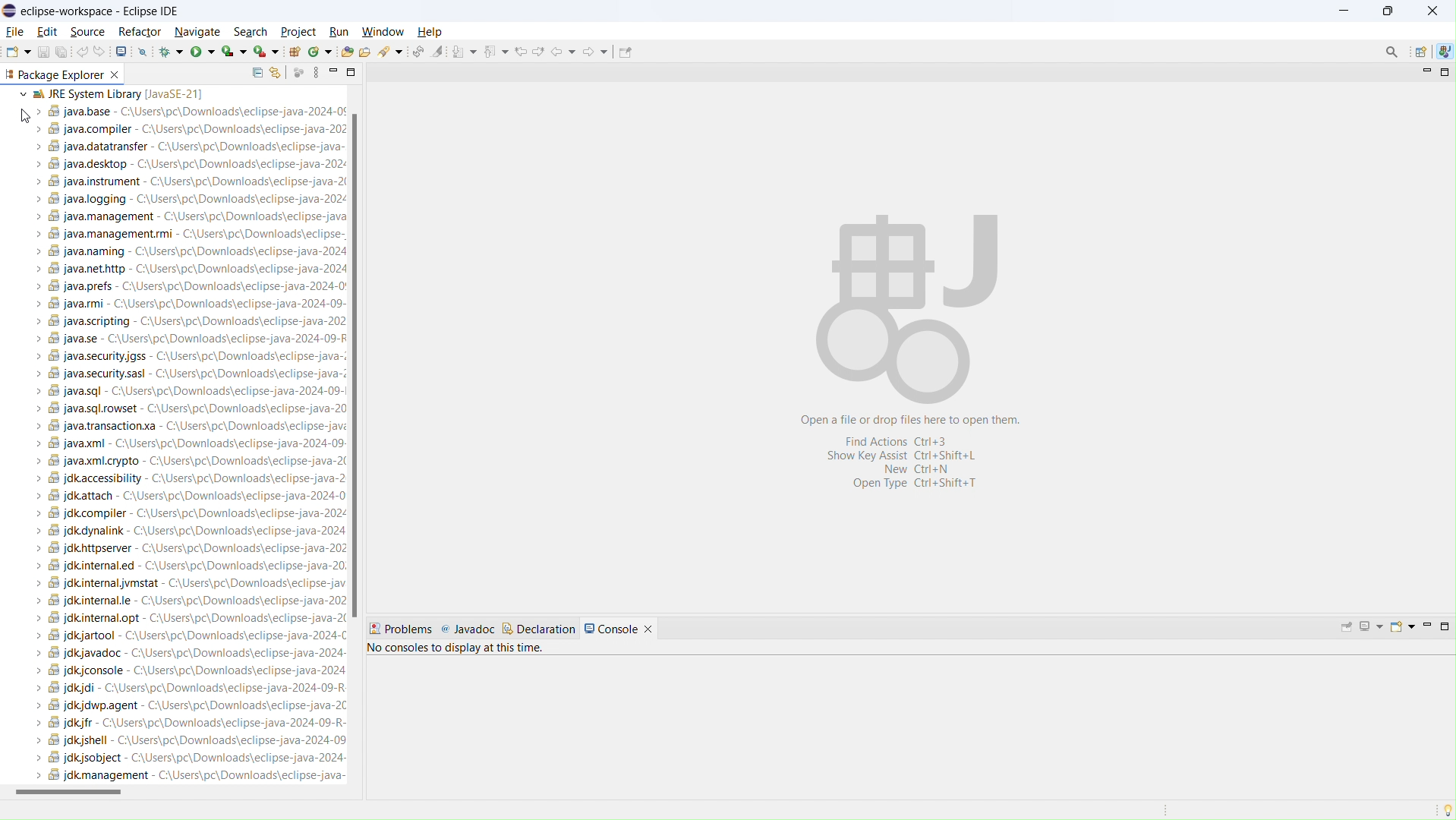 This screenshot has width=1456, height=820. I want to click on save all, so click(62, 52).